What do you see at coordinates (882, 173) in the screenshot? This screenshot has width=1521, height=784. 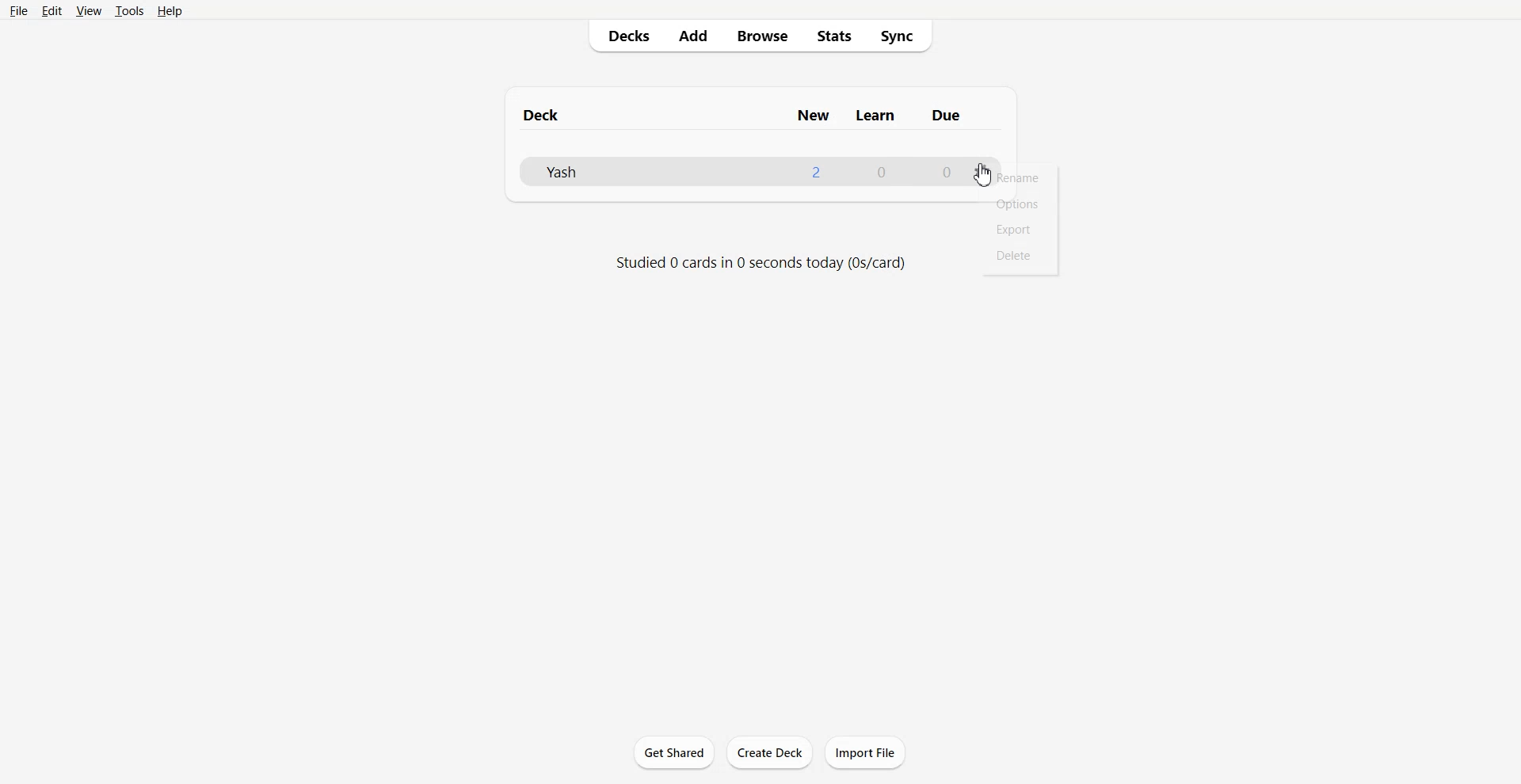 I see `0` at bounding box center [882, 173].